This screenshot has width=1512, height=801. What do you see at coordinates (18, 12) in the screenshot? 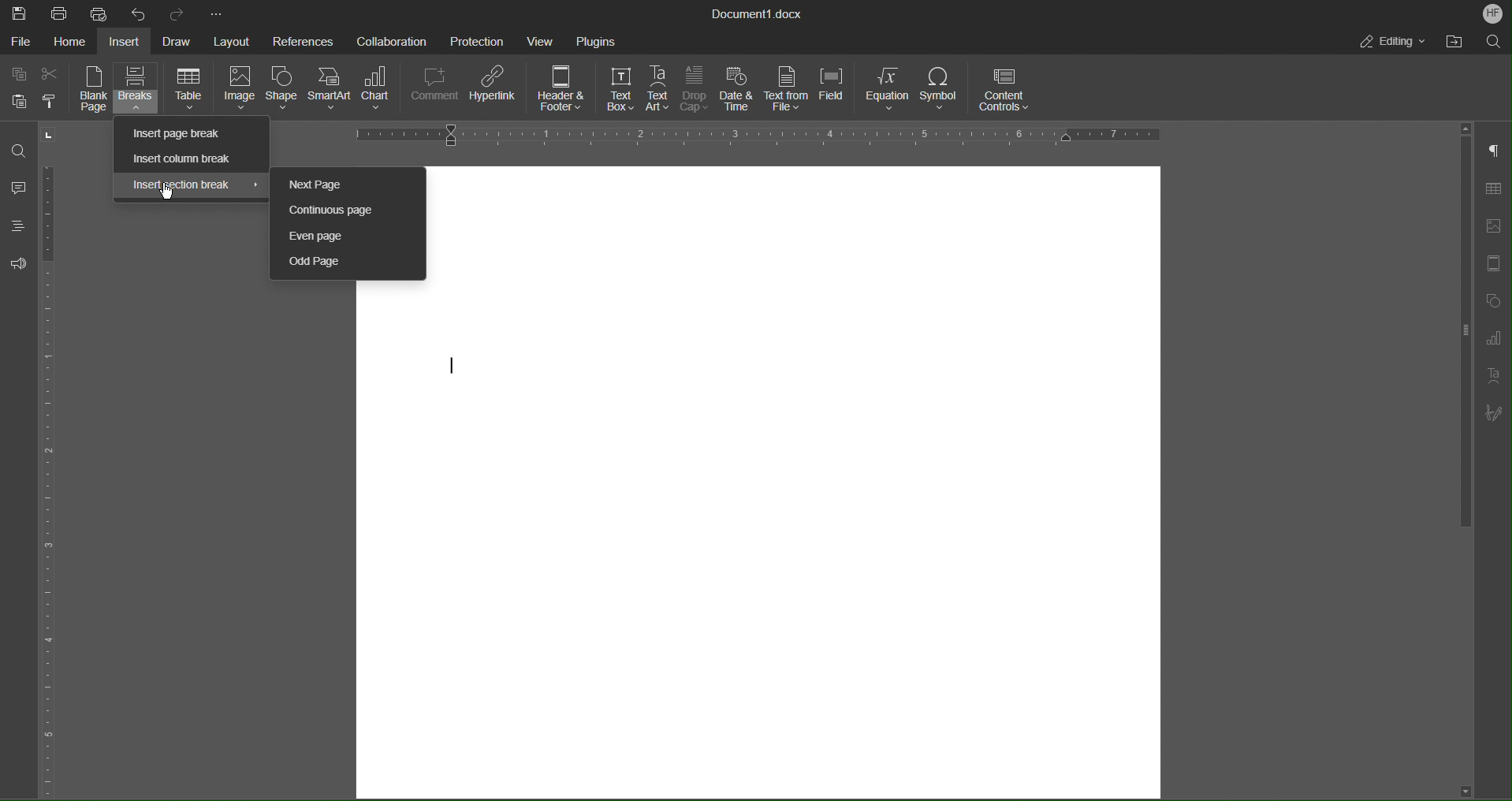
I see `Save` at bounding box center [18, 12].